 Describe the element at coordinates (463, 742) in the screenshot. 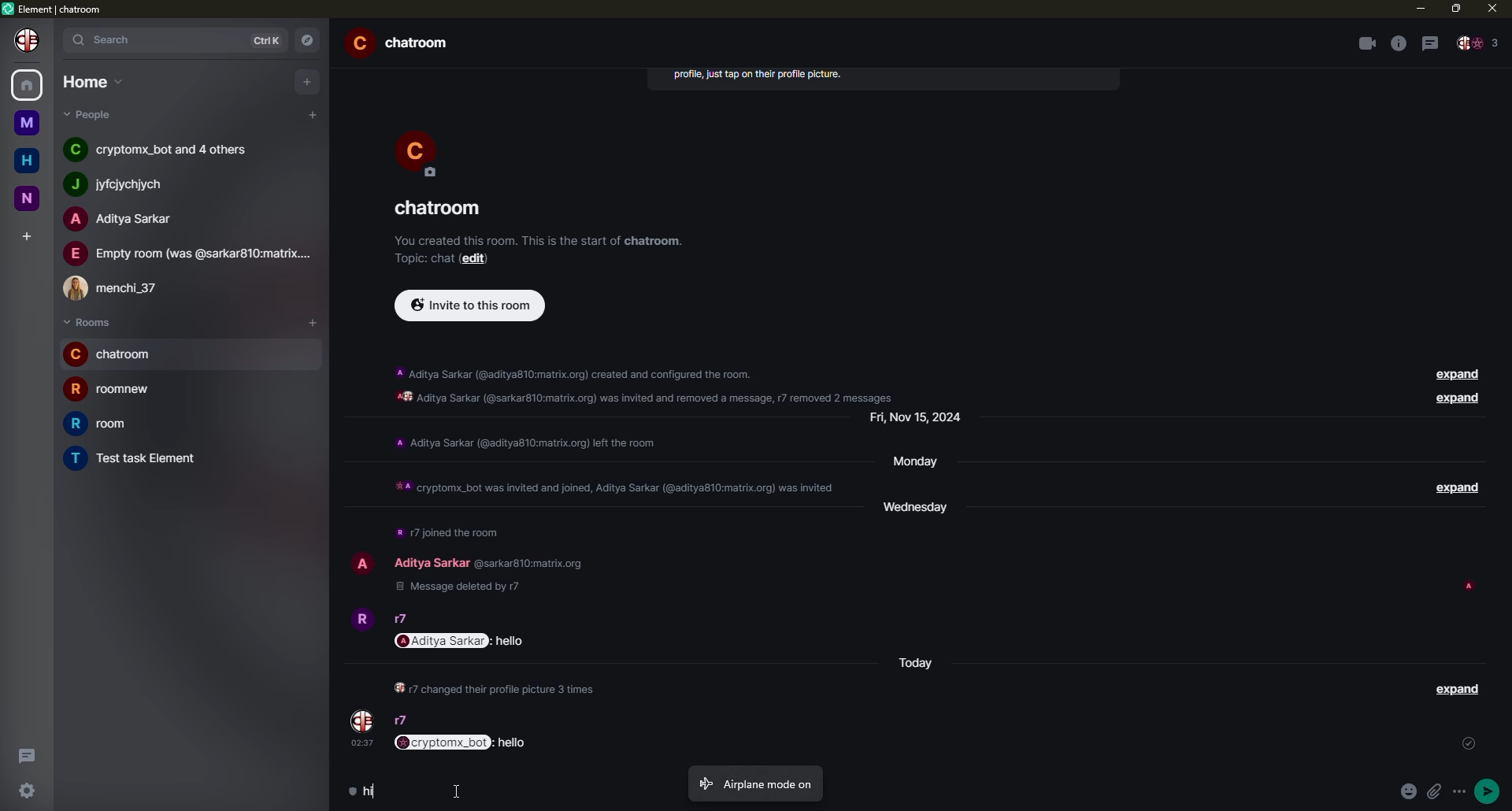

I see `mentioned` at that location.